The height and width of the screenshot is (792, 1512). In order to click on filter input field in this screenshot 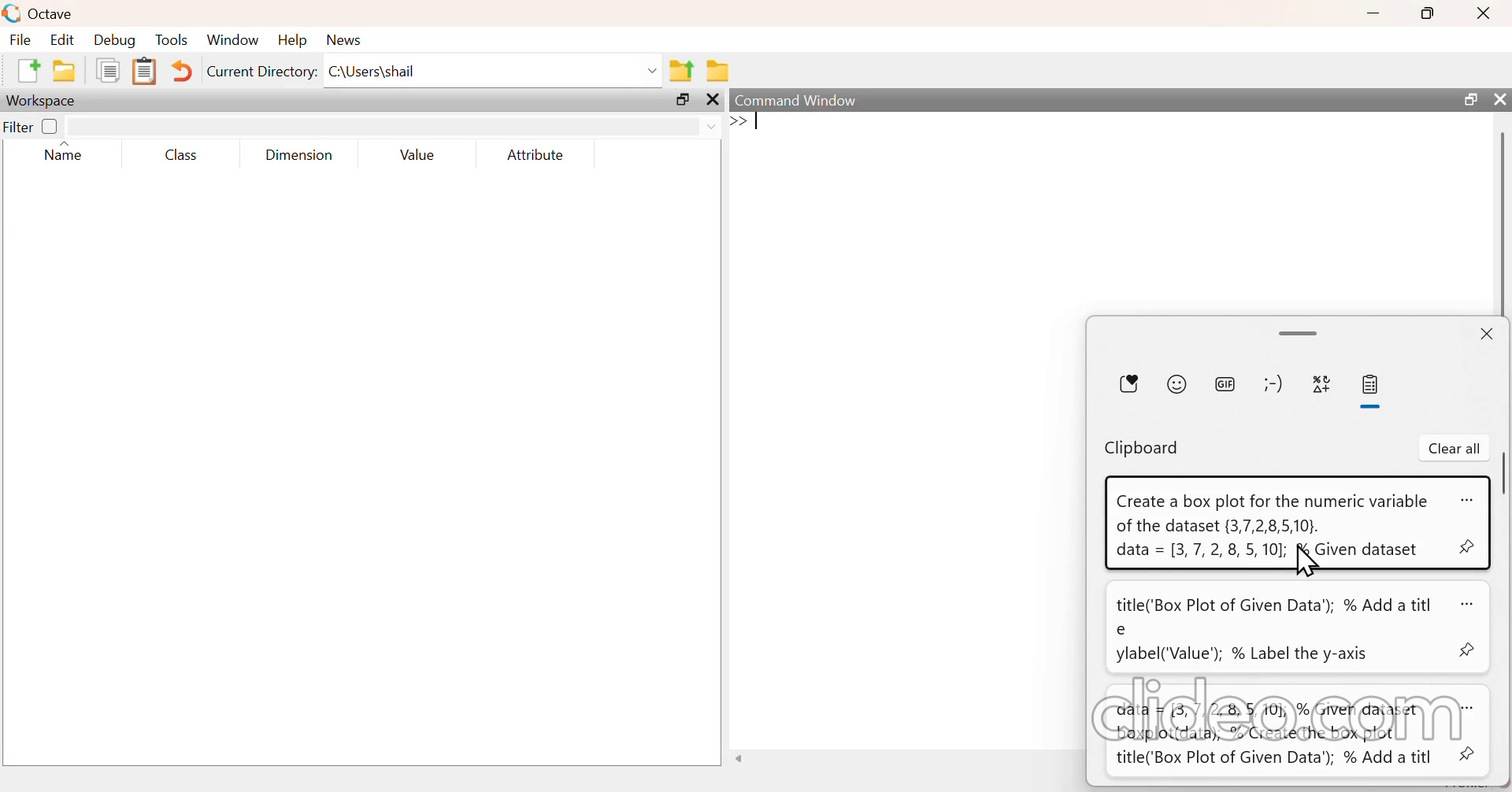, I will do `click(395, 125)`.